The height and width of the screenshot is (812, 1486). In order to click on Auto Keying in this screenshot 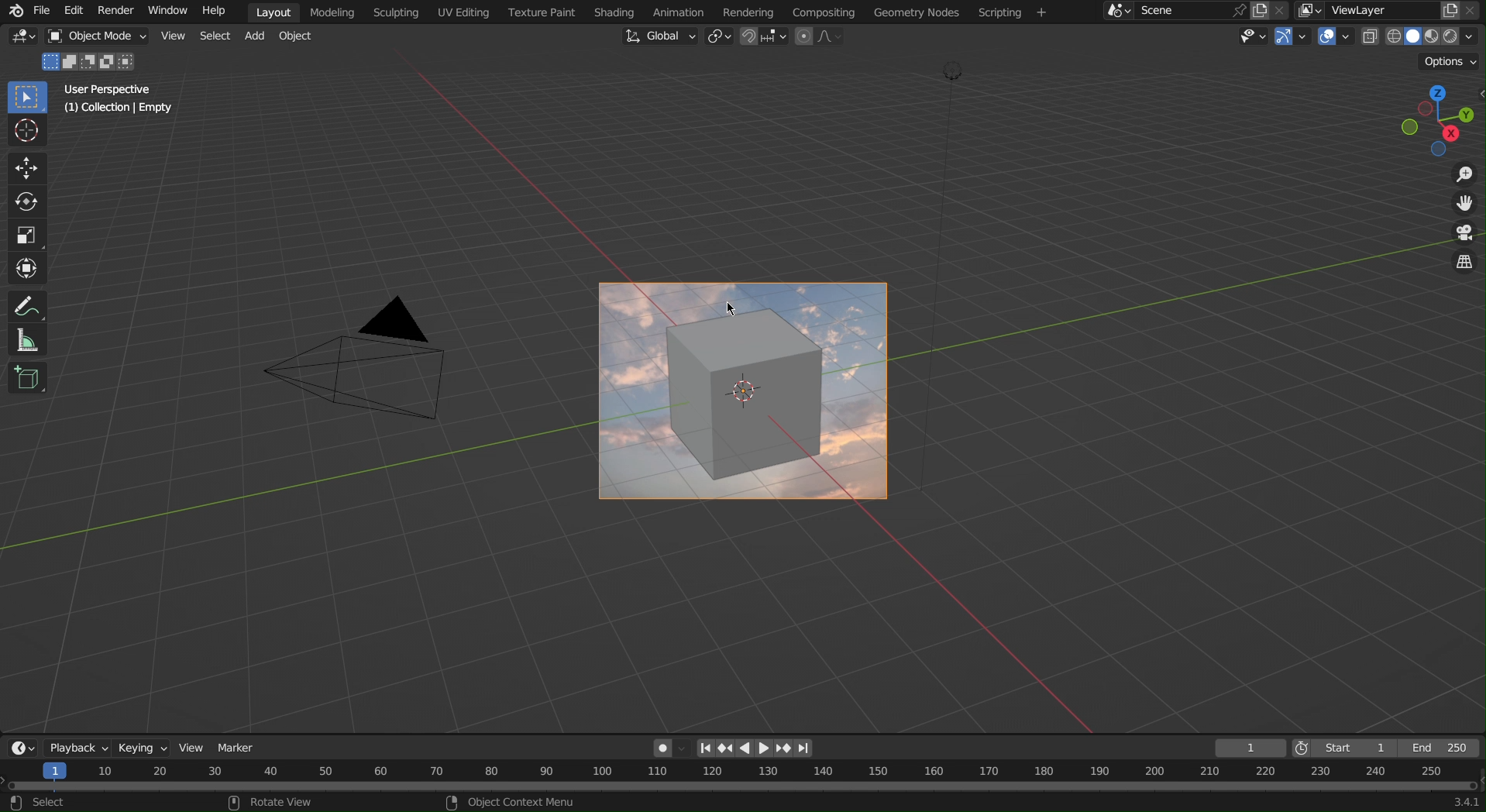, I will do `click(665, 746)`.